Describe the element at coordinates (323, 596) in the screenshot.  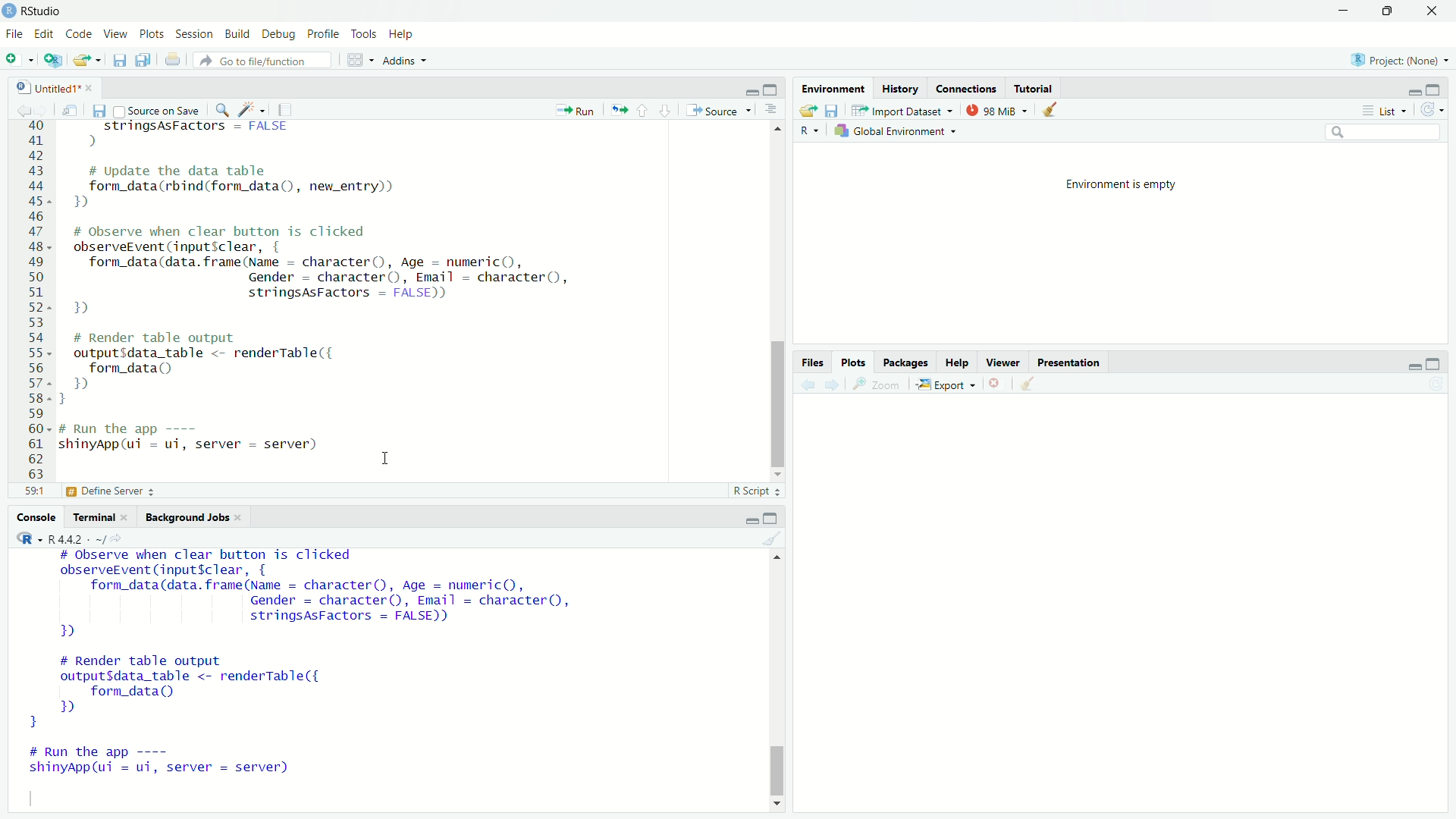
I see `code to observe when clear button is clicked` at that location.